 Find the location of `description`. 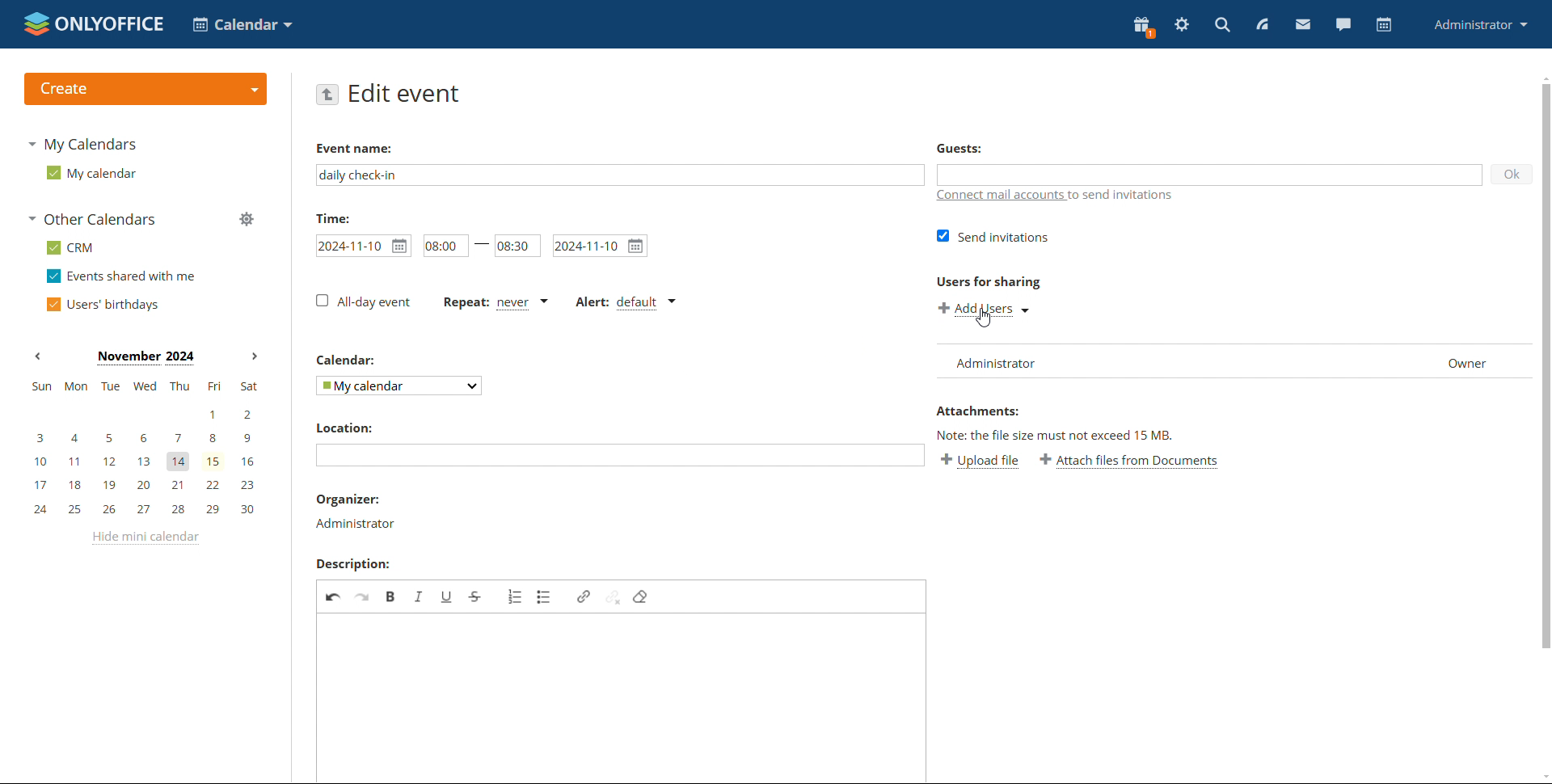

description is located at coordinates (352, 564).